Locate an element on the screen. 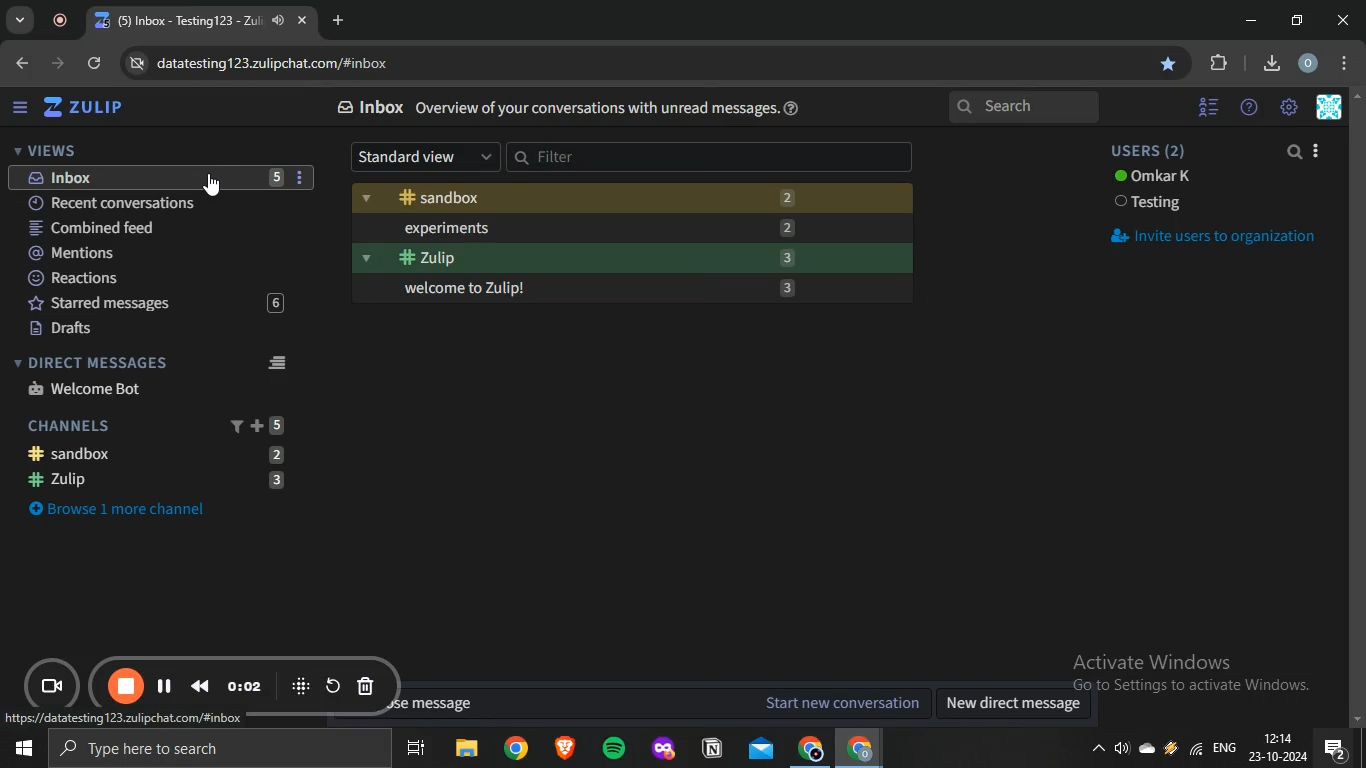 The image size is (1366, 768). tab is located at coordinates (190, 21).